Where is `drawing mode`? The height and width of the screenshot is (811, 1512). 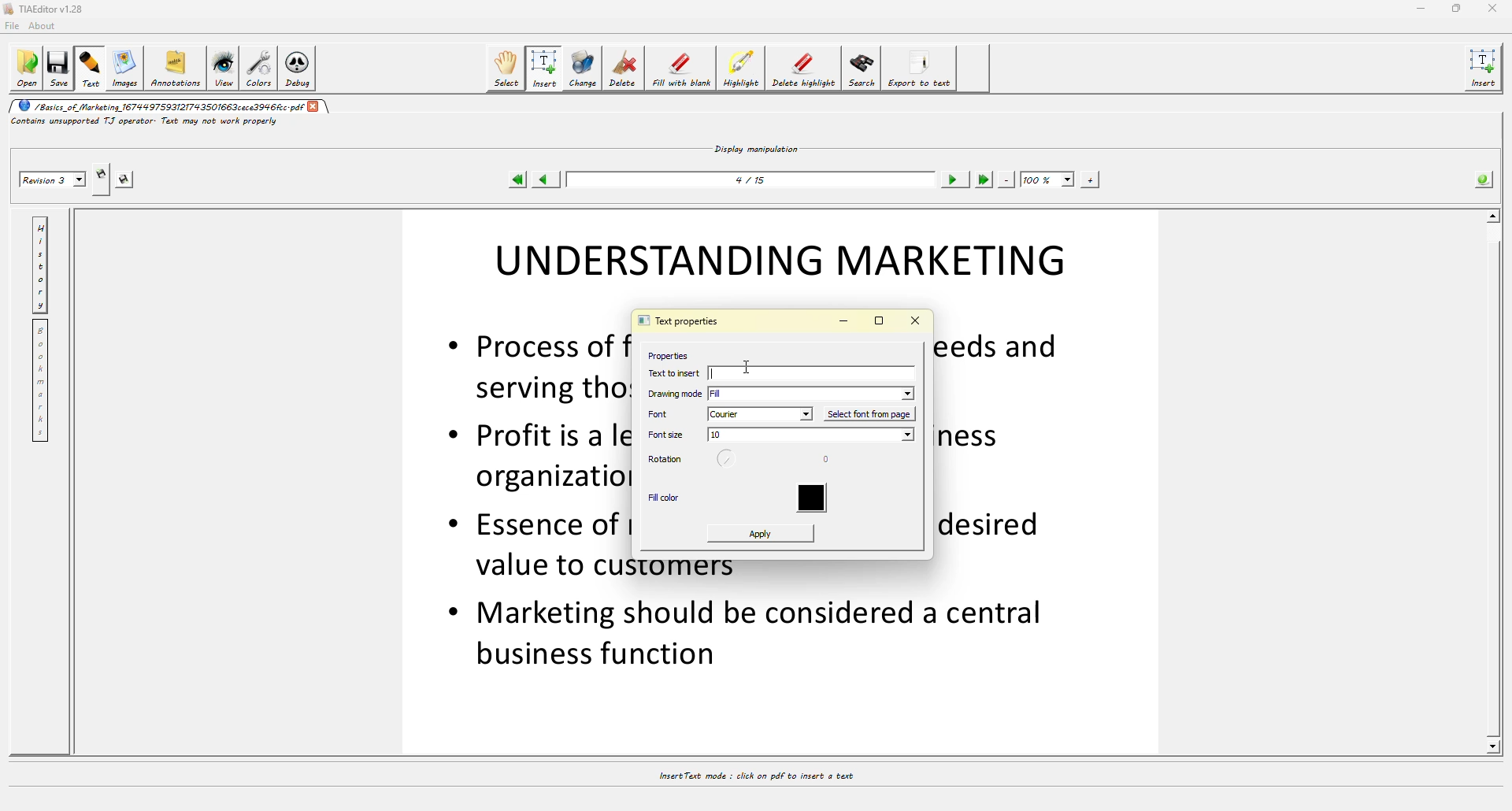 drawing mode is located at coordinates (676, 394).